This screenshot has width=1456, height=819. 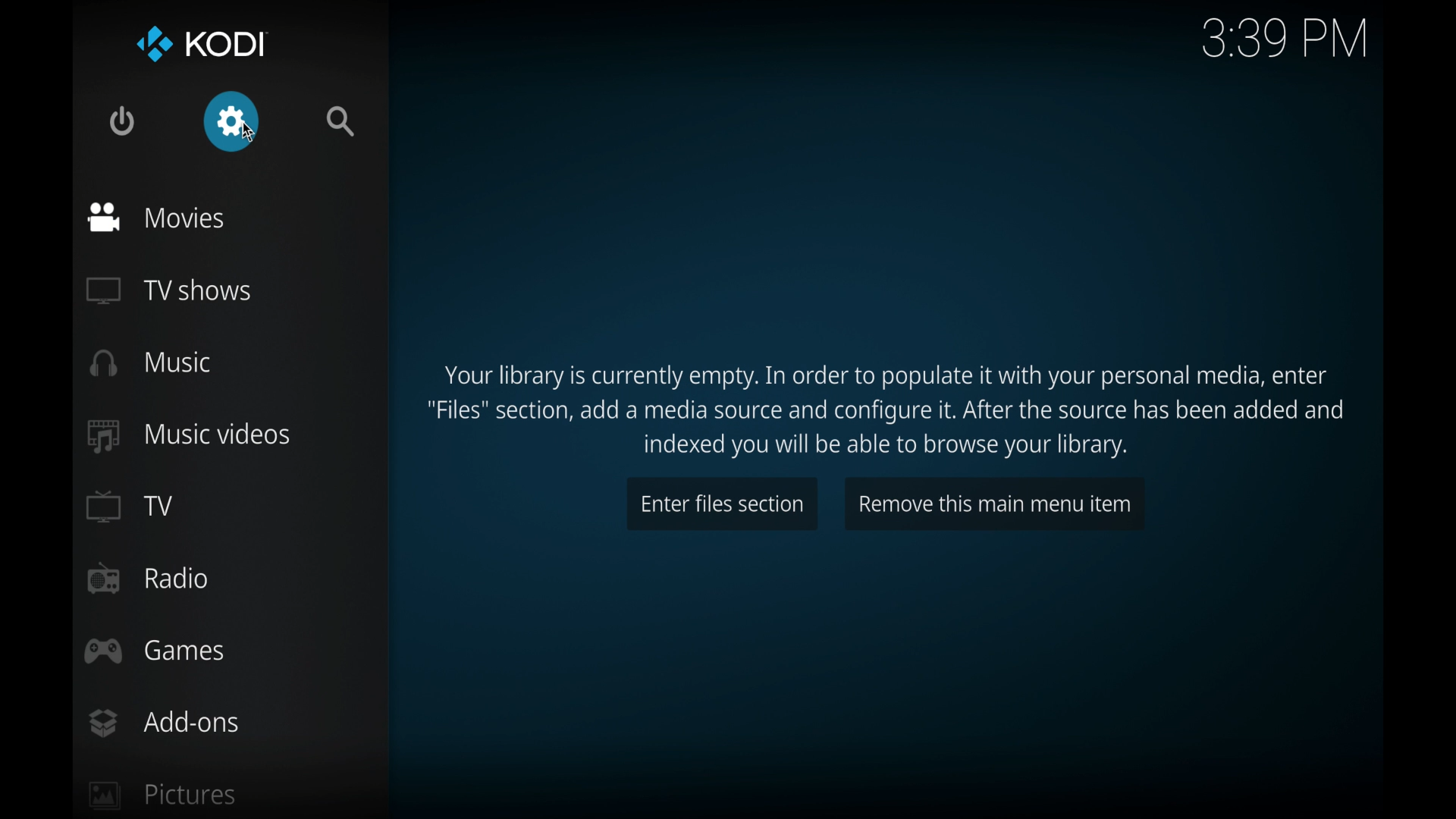 I want to click on time, so click(x=1283, y=39).